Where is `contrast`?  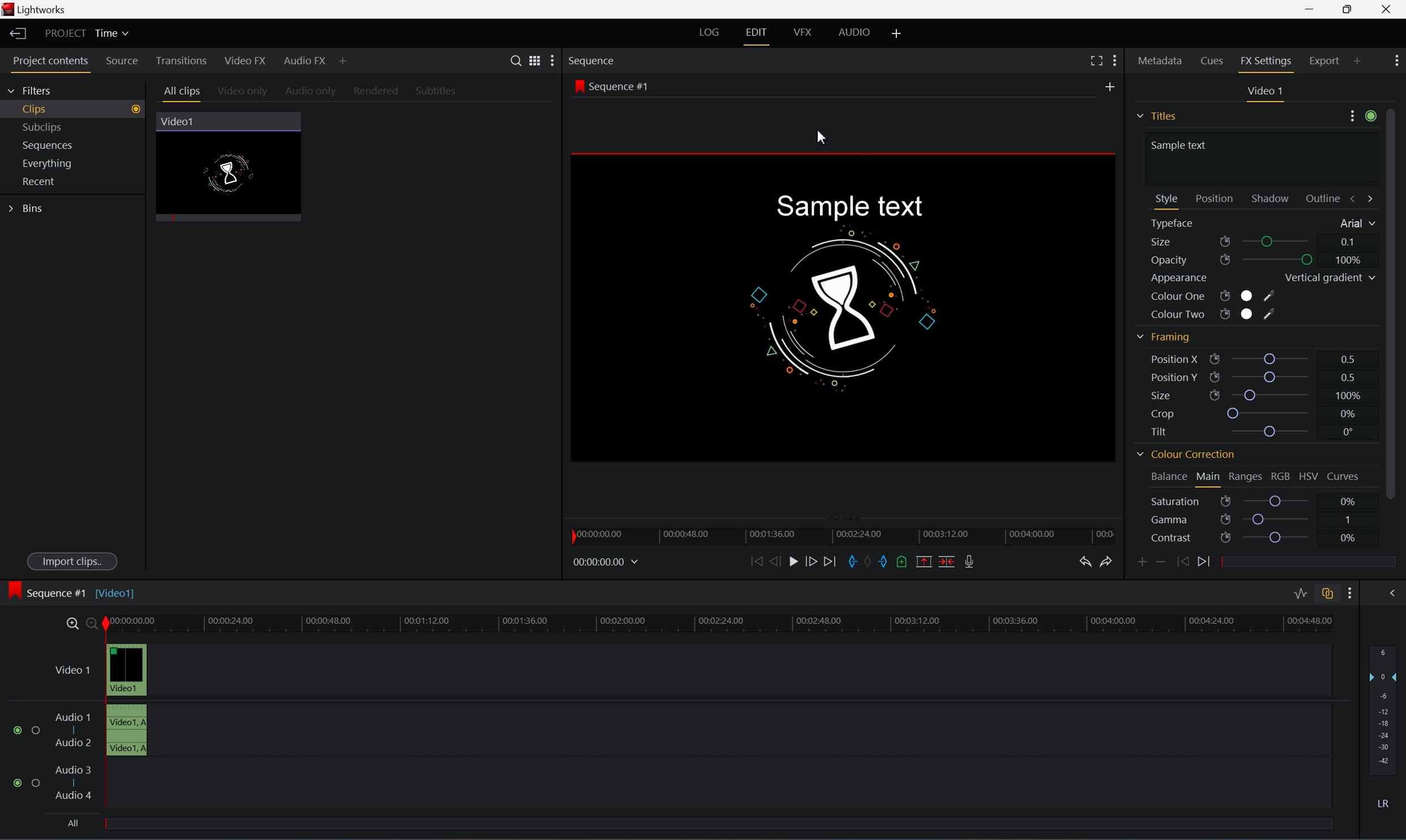
contrast is located at coordinates (1190, 539).